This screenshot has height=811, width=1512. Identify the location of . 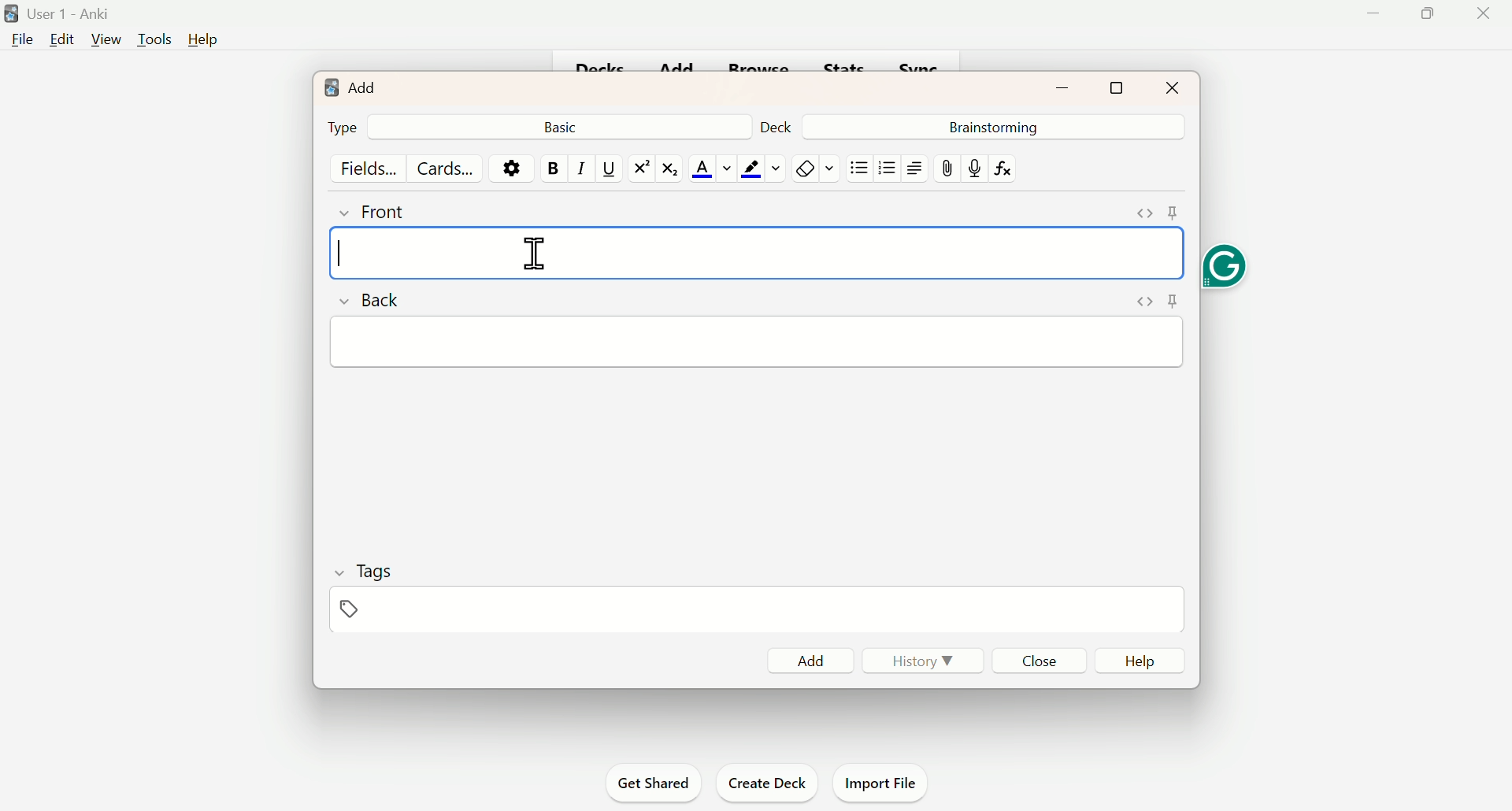
(832, 168).